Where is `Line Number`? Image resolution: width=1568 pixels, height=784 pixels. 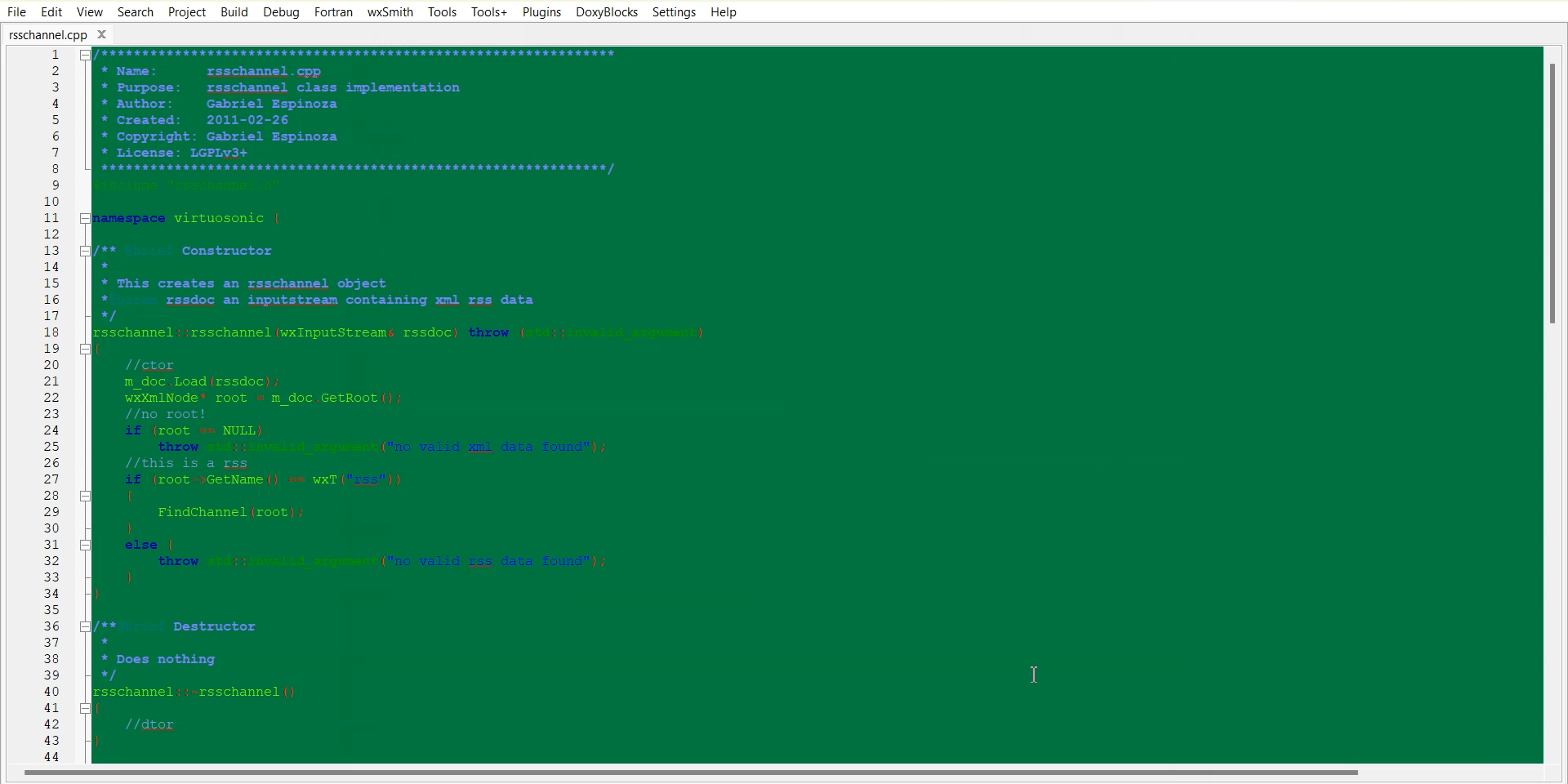 Line Number is located at coordinates (39, 406).